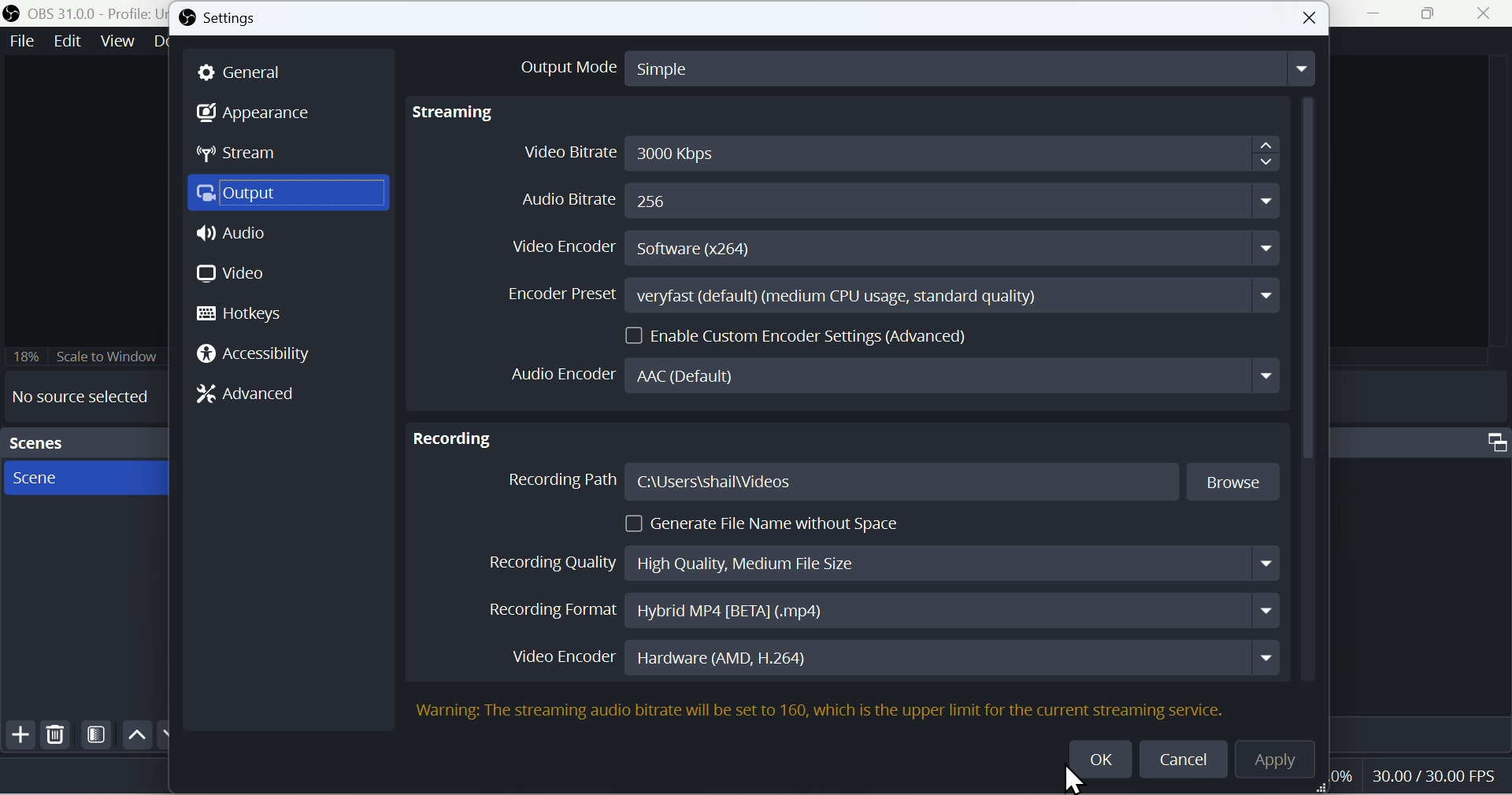 This screenshot has width=1512, height=795. Describe the element at coordinates (1311, 18) in the screenshot. I see `` at that location.